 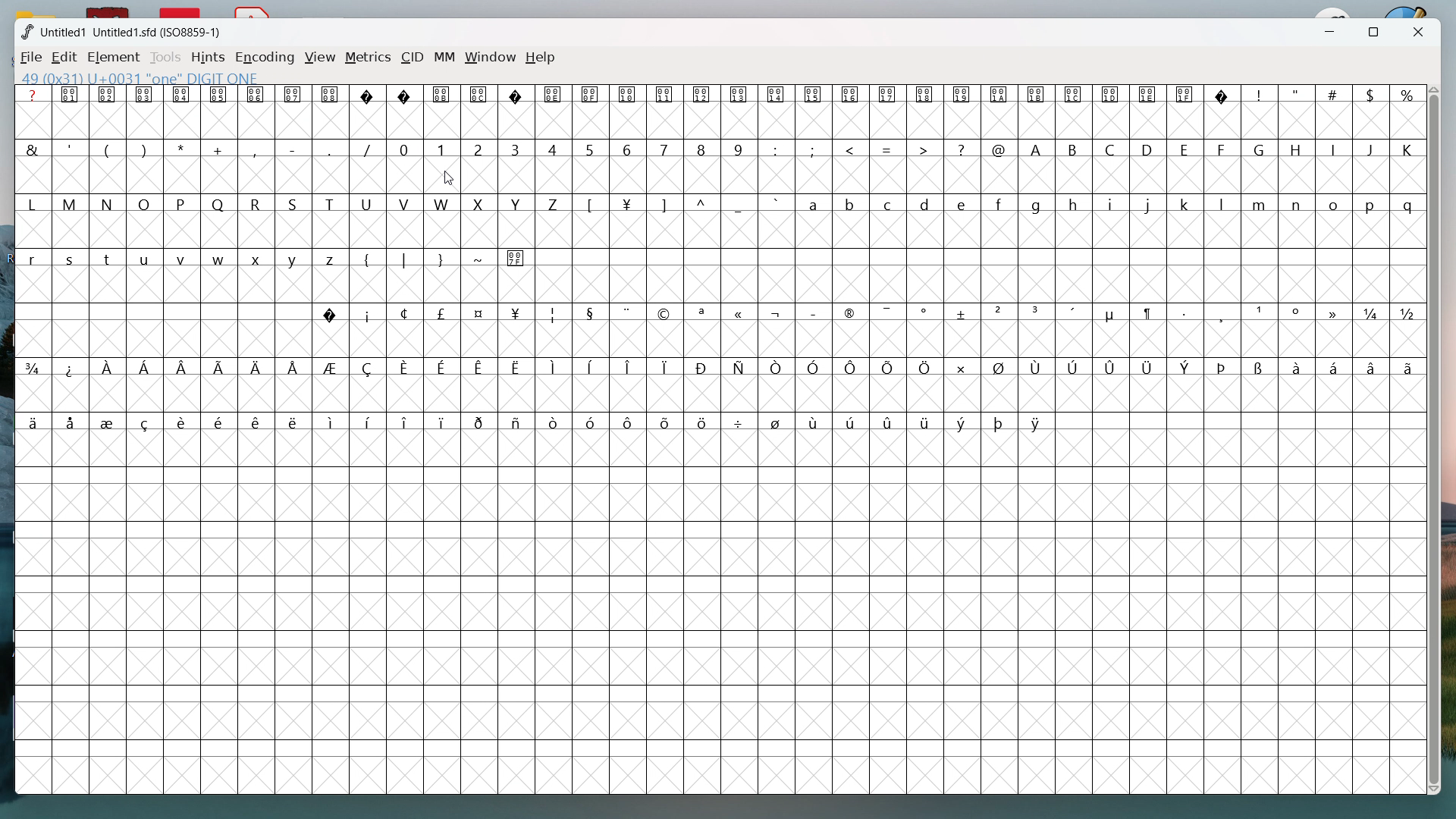 What do you see at coordinates (108, 149) in the screenshot?
I see `(` at bounding box center [108, 149].